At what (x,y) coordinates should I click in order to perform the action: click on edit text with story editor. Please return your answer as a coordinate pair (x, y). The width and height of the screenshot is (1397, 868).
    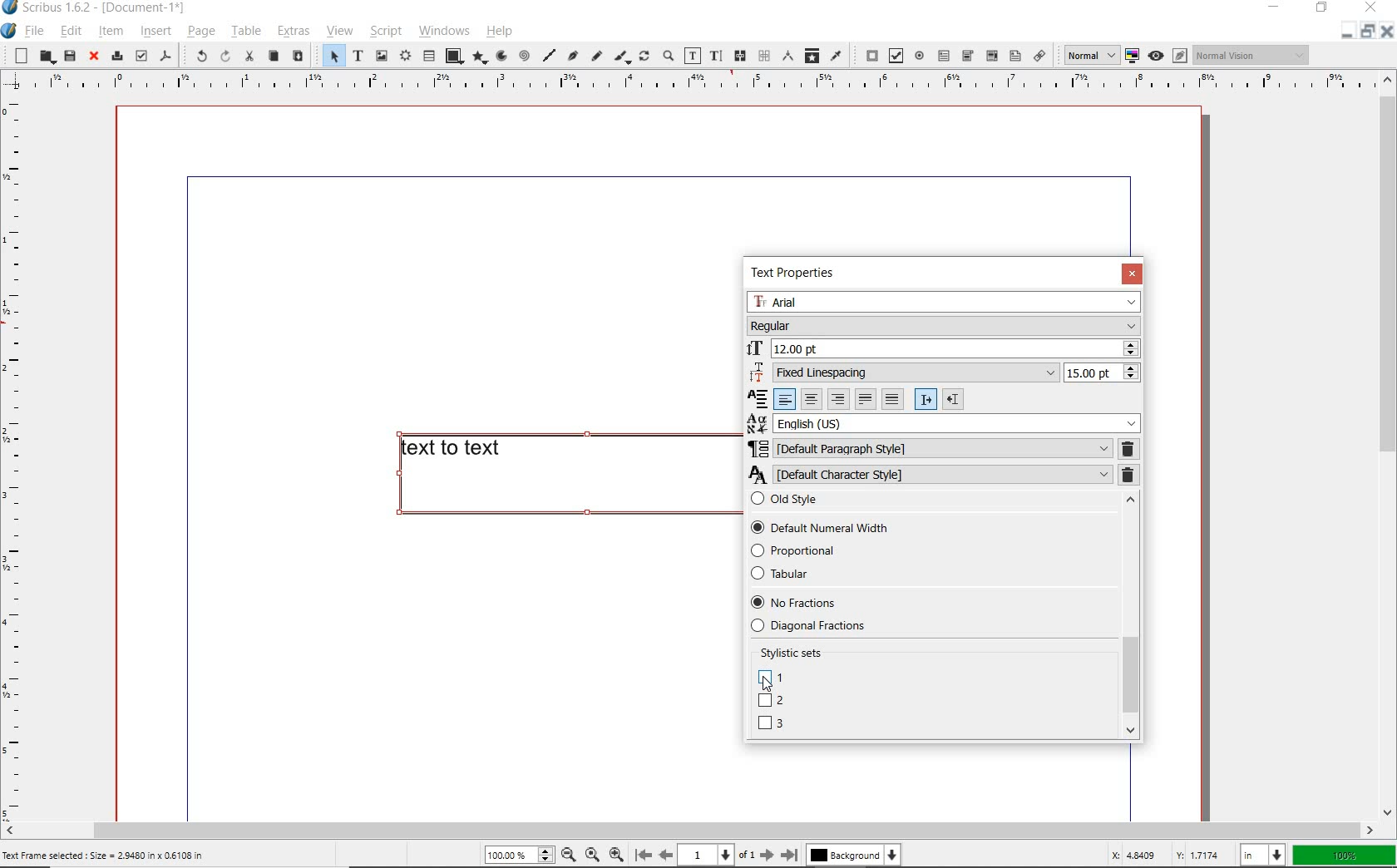
    Looking at the image, I should click on (715, 56).